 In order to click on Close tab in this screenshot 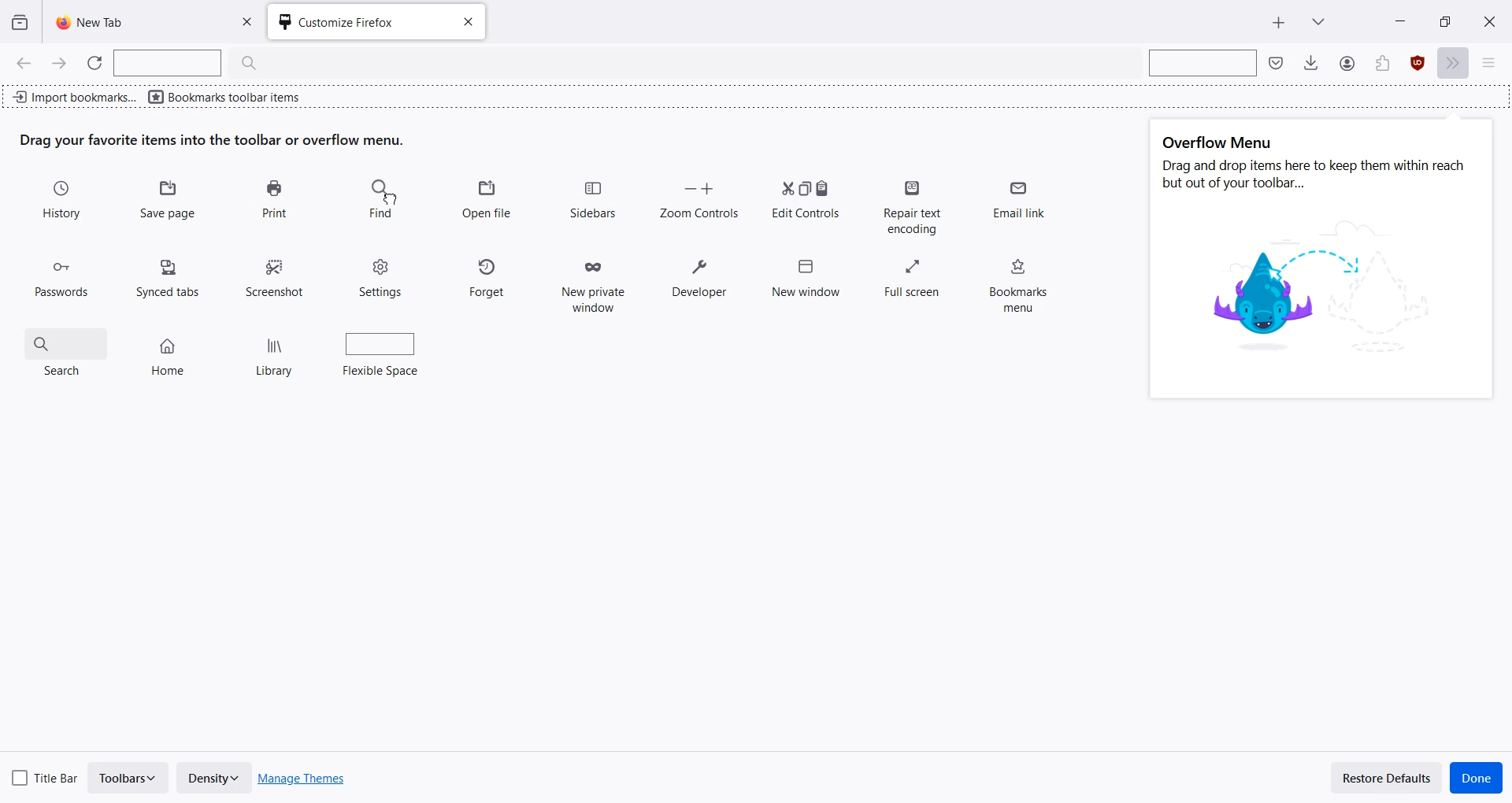, I will do `click(466, 24)`.